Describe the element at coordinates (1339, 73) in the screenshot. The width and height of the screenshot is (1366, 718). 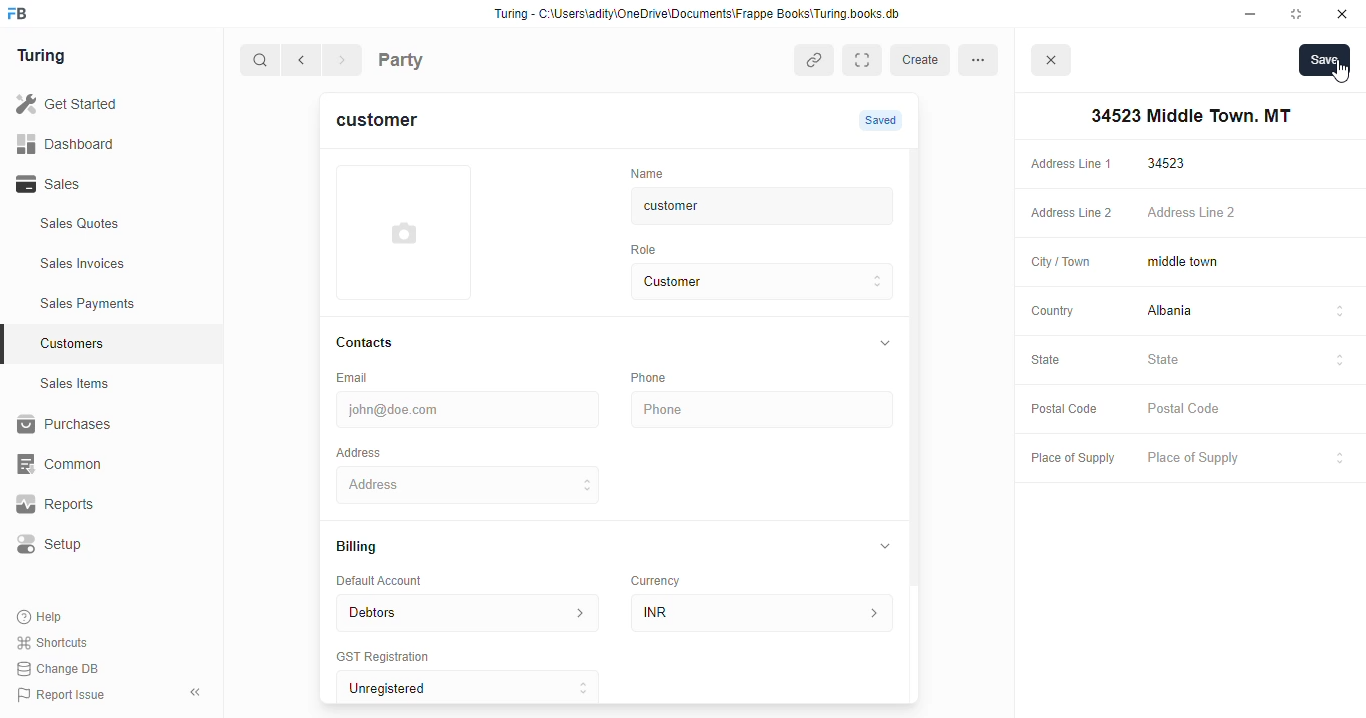
I see `cursor` at that location.